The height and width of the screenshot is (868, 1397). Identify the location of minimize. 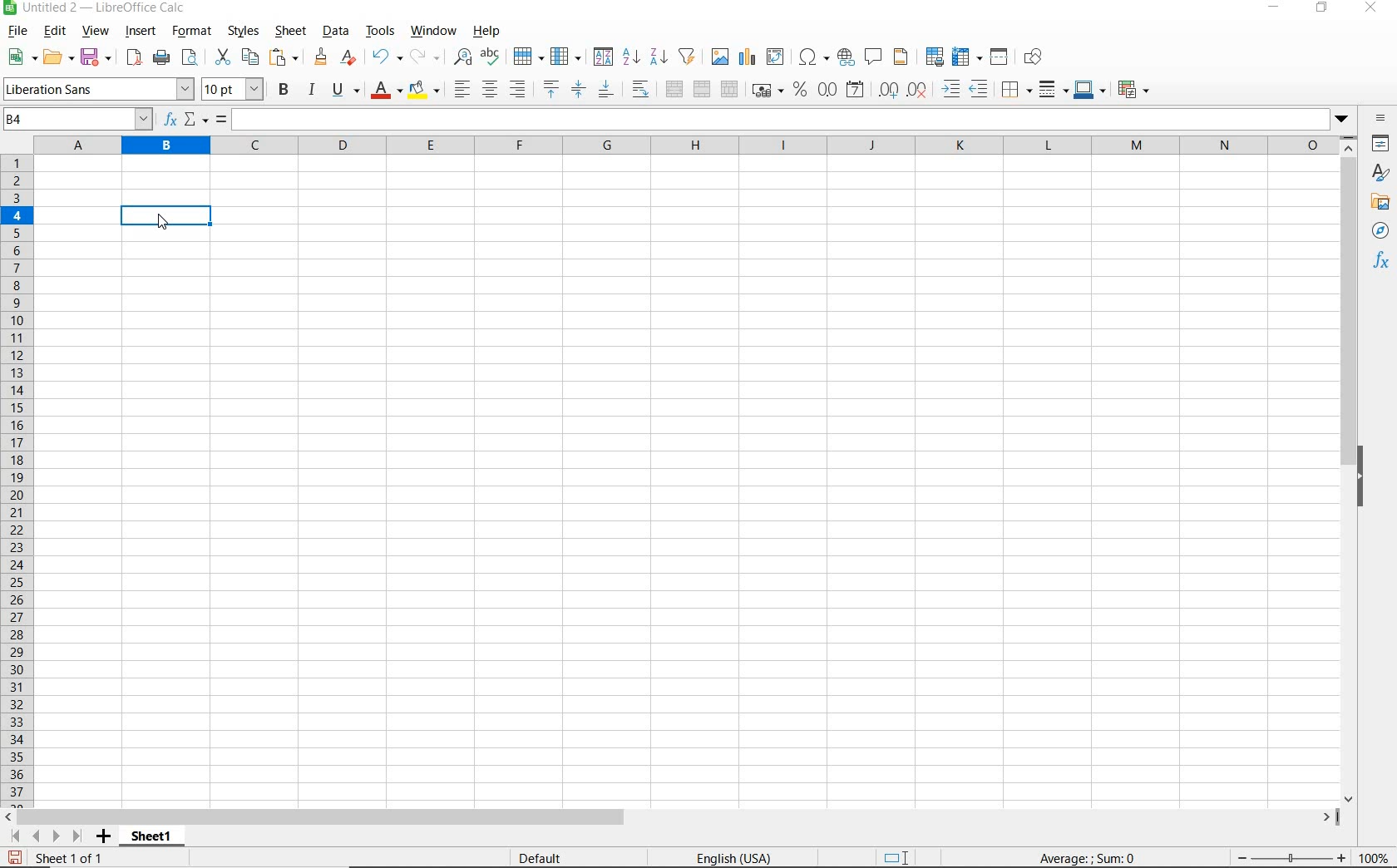
(1275, 8).